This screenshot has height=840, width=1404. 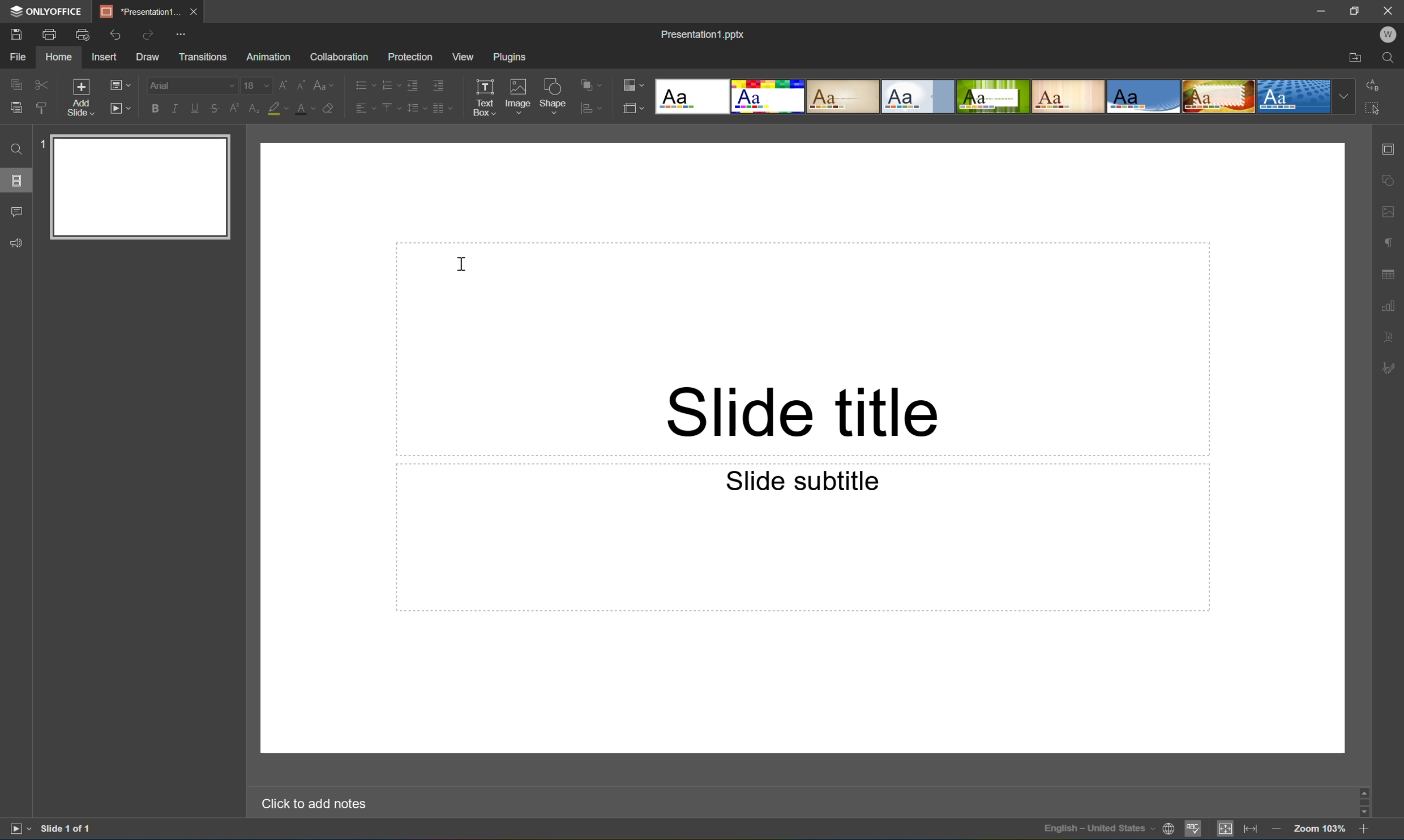 What do you see at coordinates (121, 37) in the screenshot?
I see `Undo` at bounding box center [121, 37].